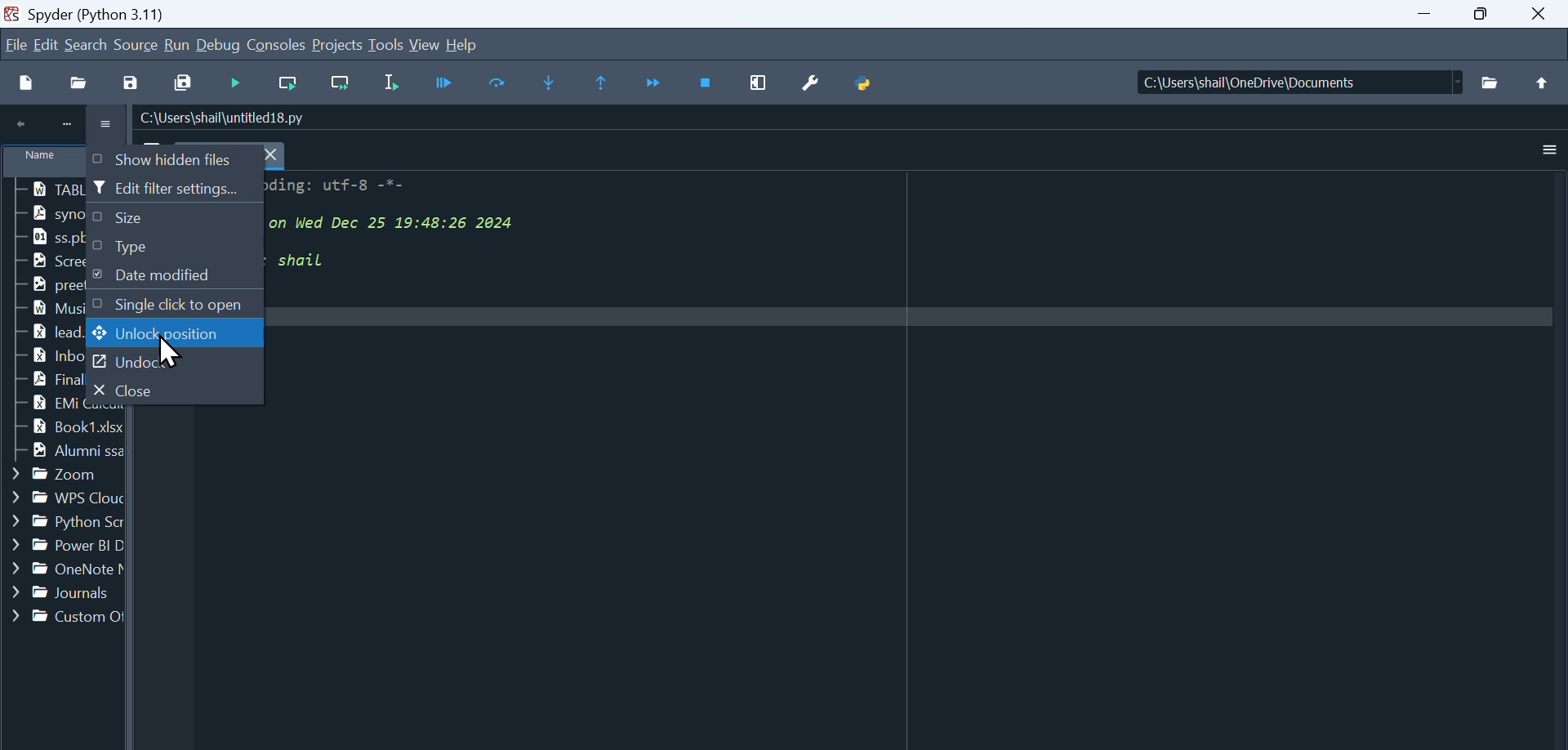  Describe the element at coordinates (396, 83) in the screenshot. I see `Run selected cell` at that location.